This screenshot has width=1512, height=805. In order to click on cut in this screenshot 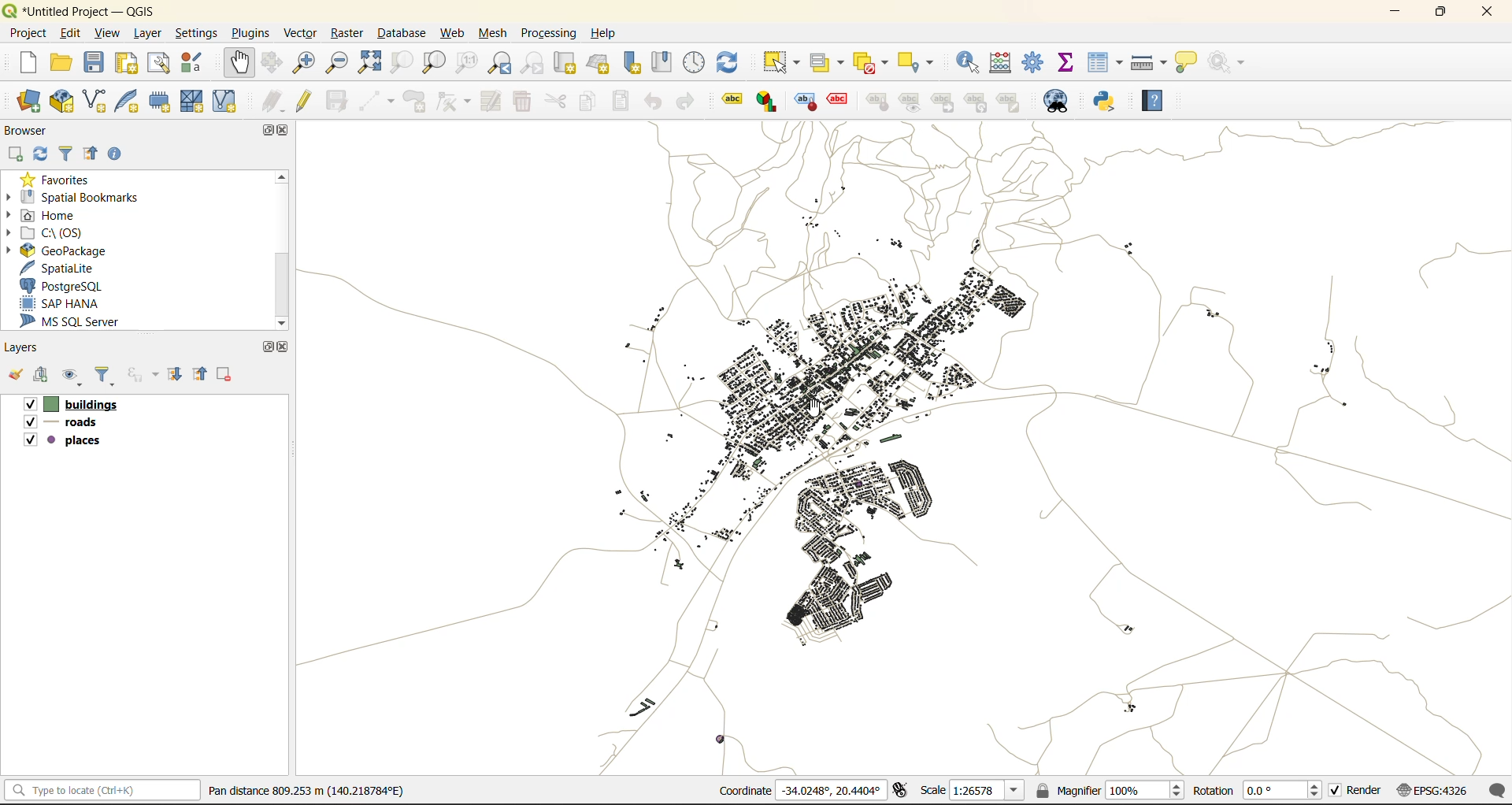, I will do `click(555, 102)`.